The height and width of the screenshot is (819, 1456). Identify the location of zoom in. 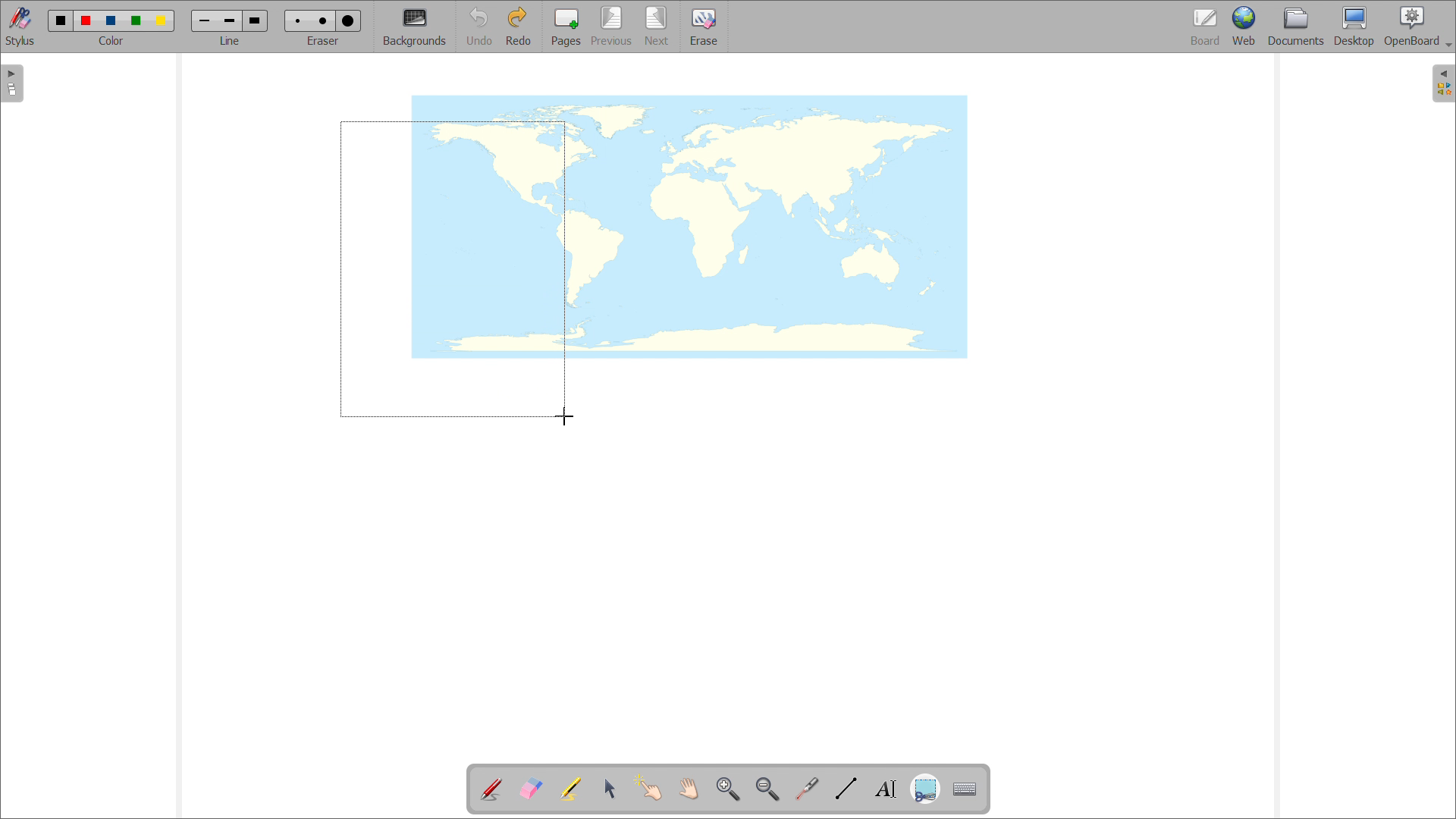
(728, 789).